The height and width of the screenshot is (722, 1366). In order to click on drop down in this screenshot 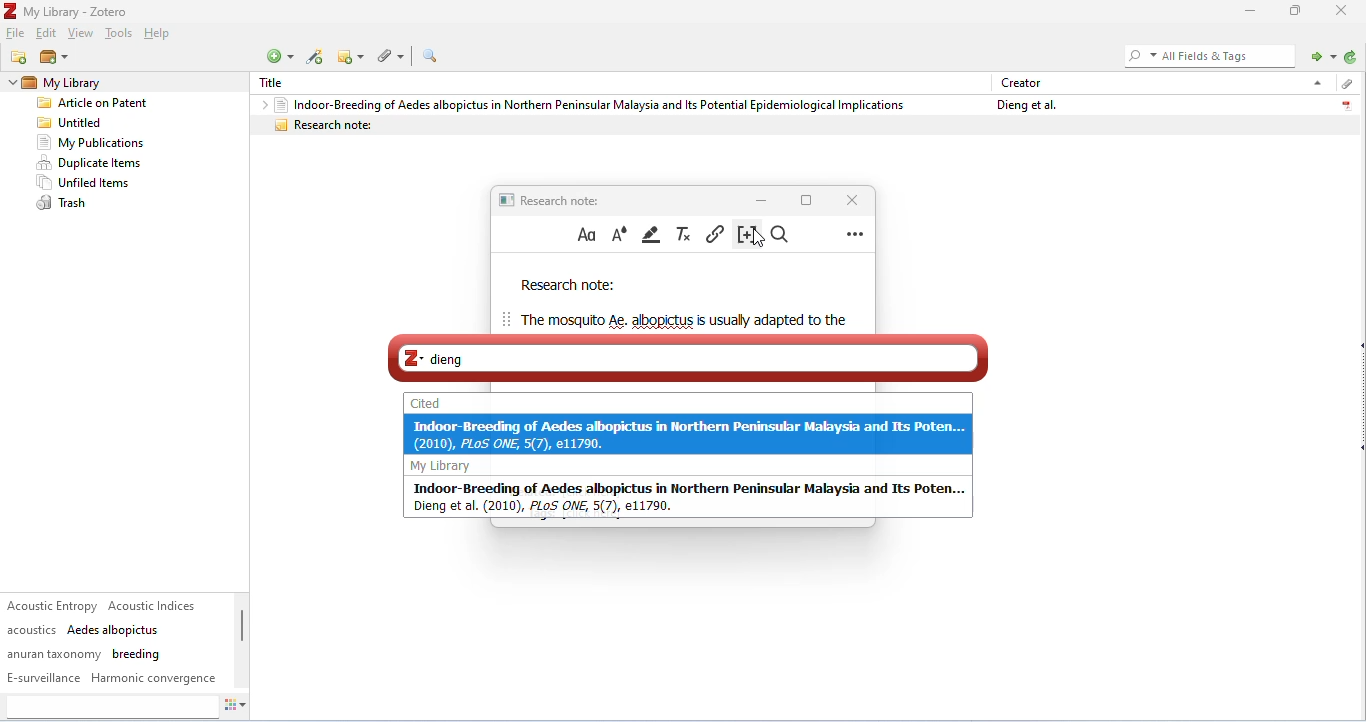, I will do `click(260, 105)`.